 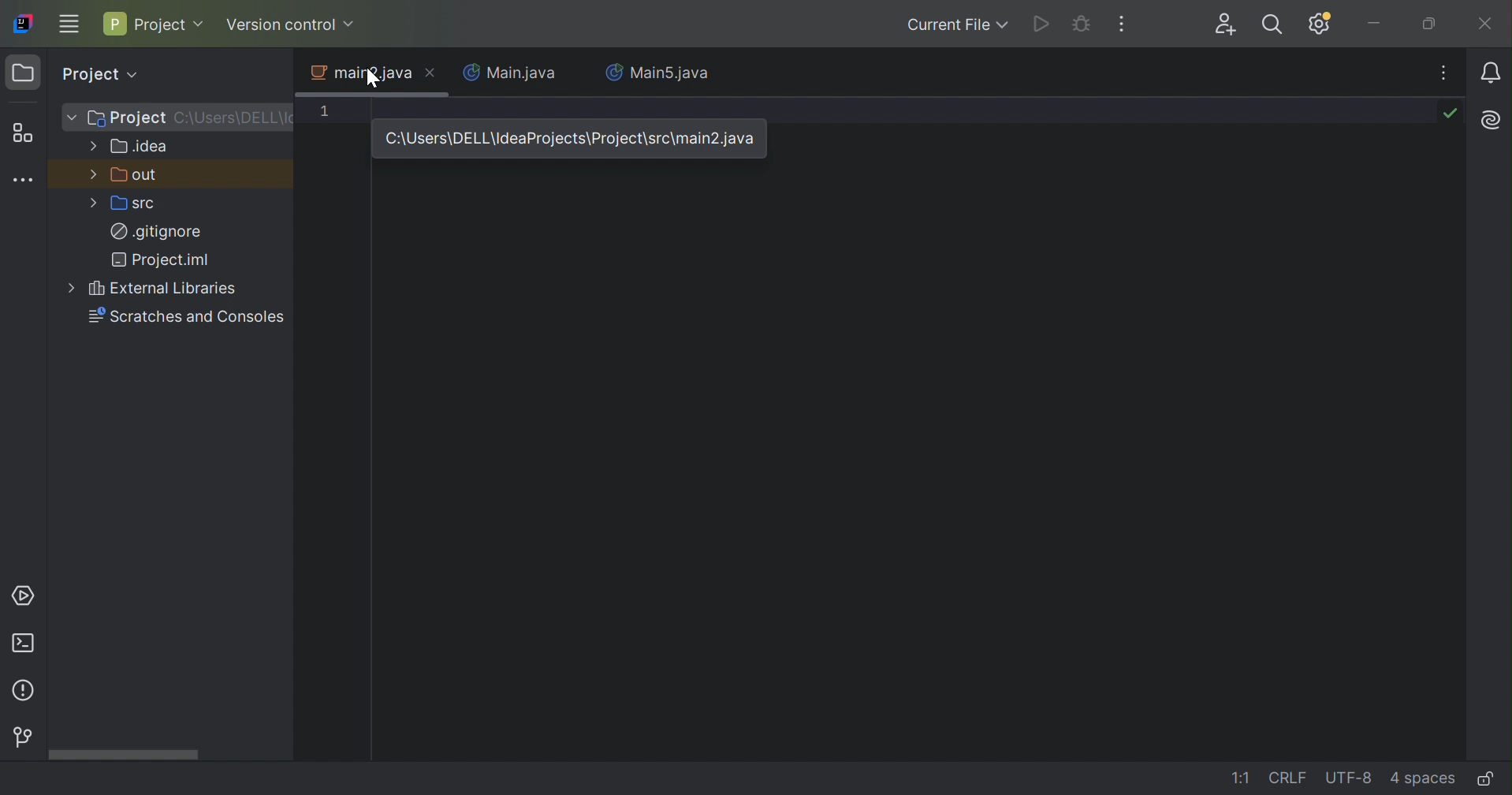 What do you see at coordinates (1242, 780) in the screenshot?
I see `1:1` at bounding box center [1242, 780].